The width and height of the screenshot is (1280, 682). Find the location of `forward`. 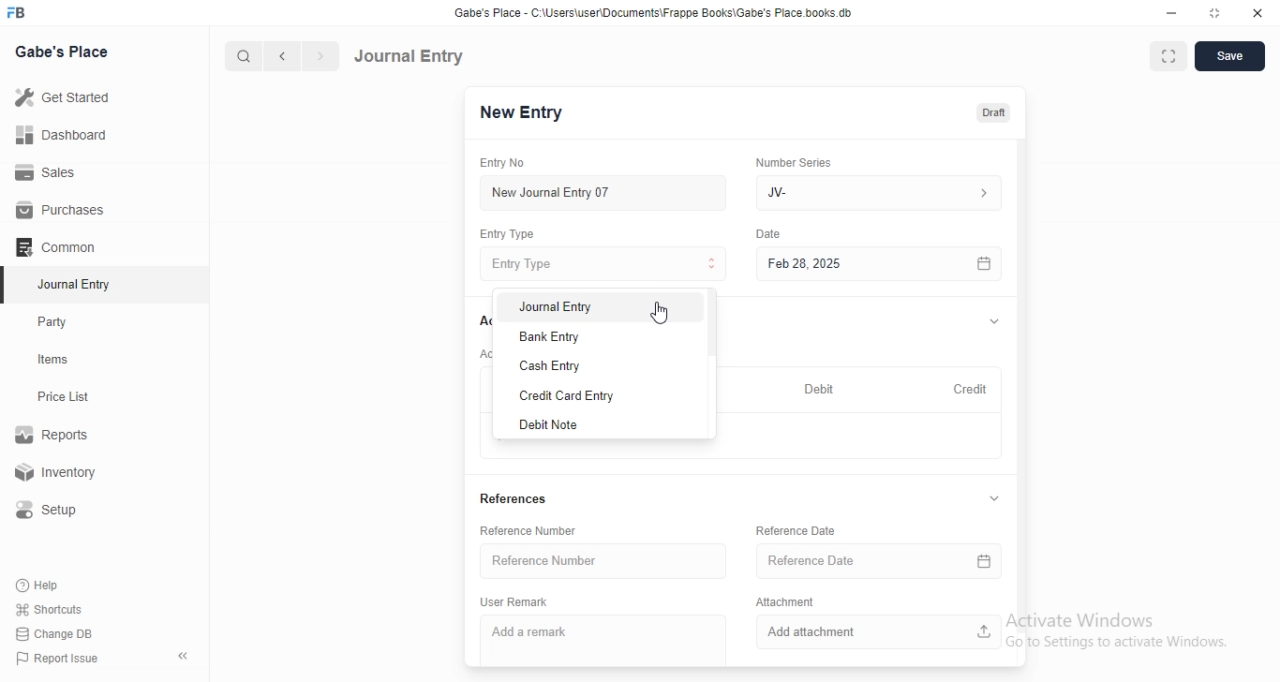

forward is located at coordinates (322, 56).